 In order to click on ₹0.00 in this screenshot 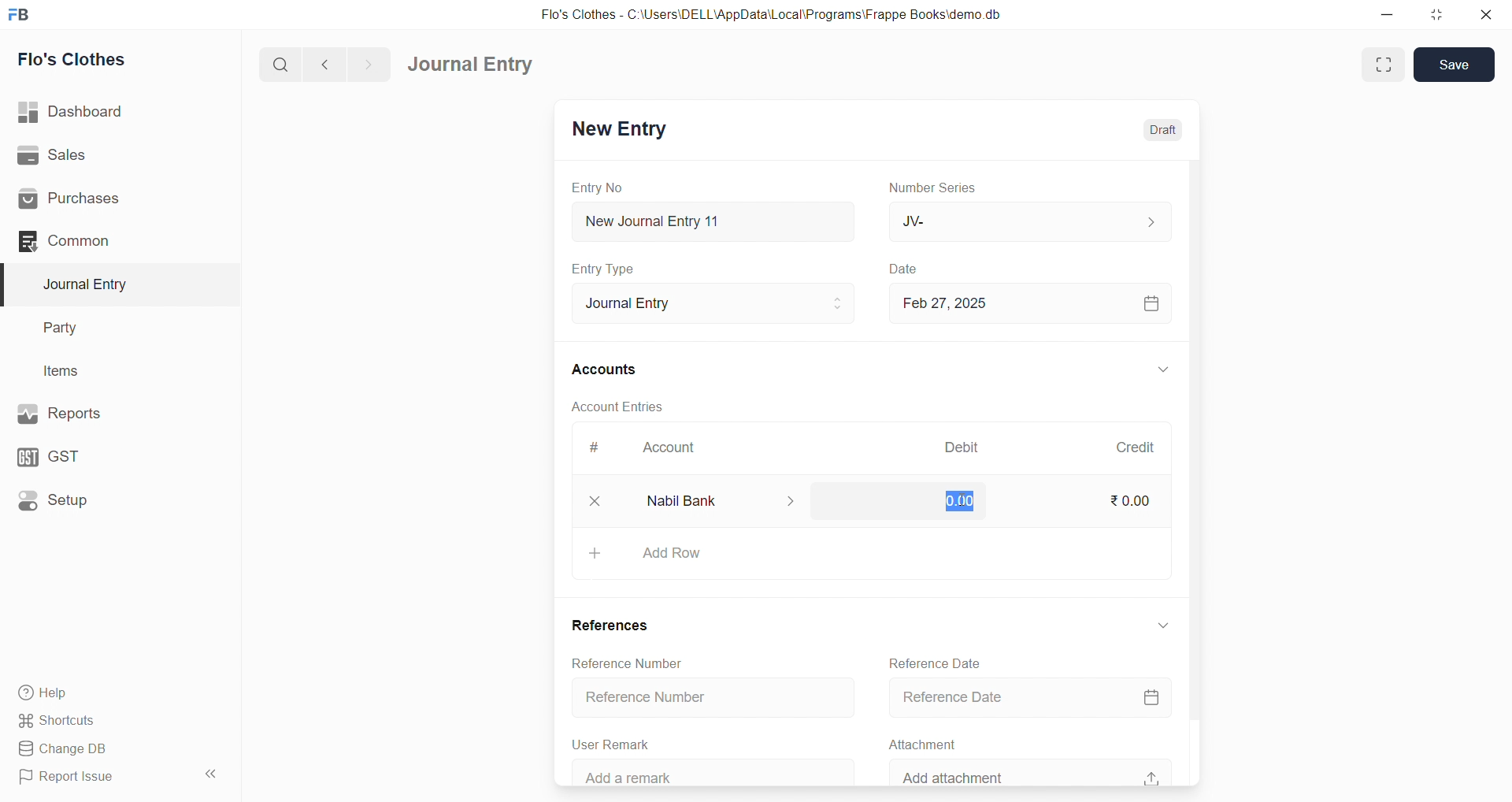, I will do `click(1132, 500)`.